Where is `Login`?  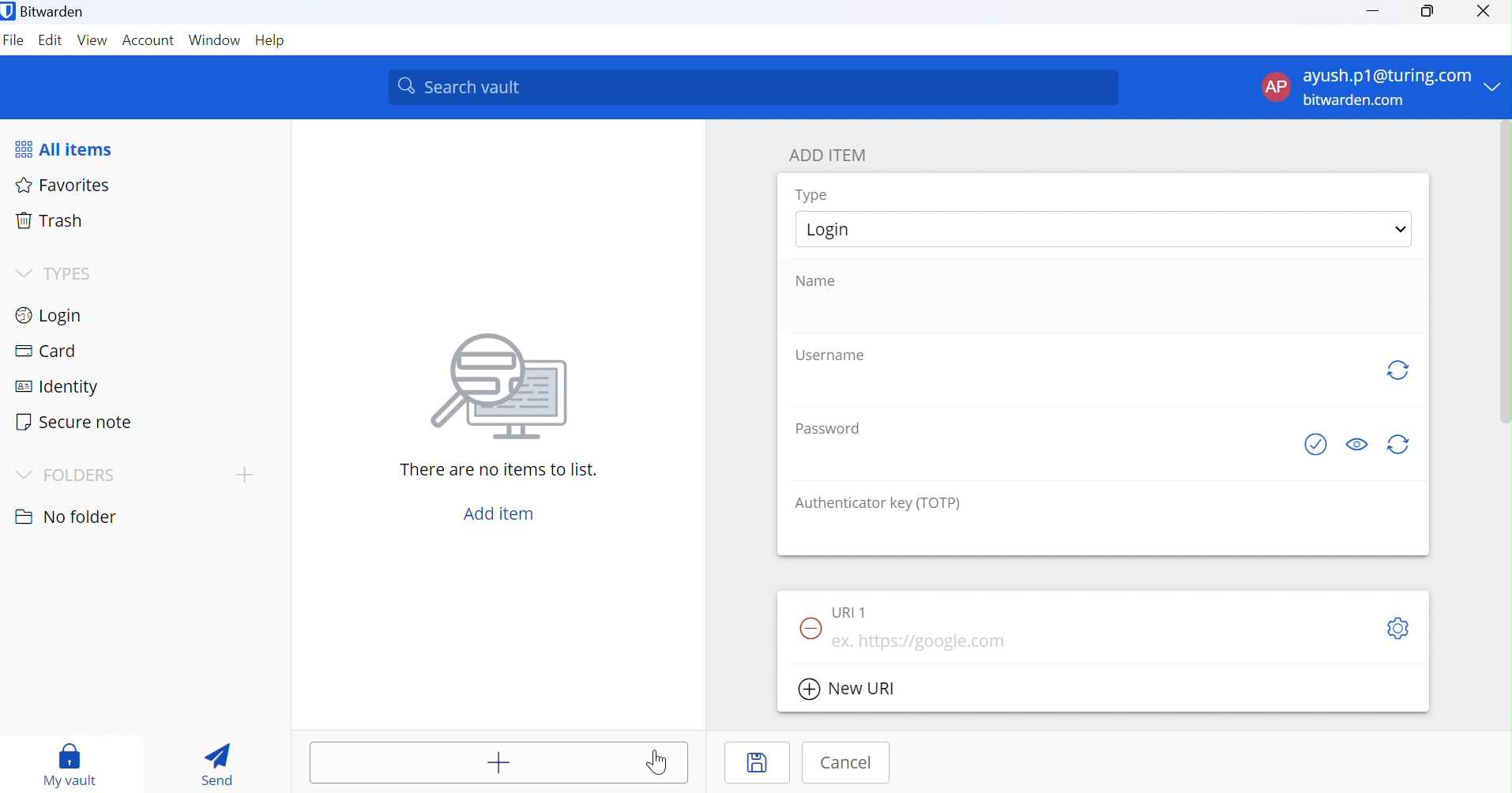
Login is located at coordinates (55, 314).